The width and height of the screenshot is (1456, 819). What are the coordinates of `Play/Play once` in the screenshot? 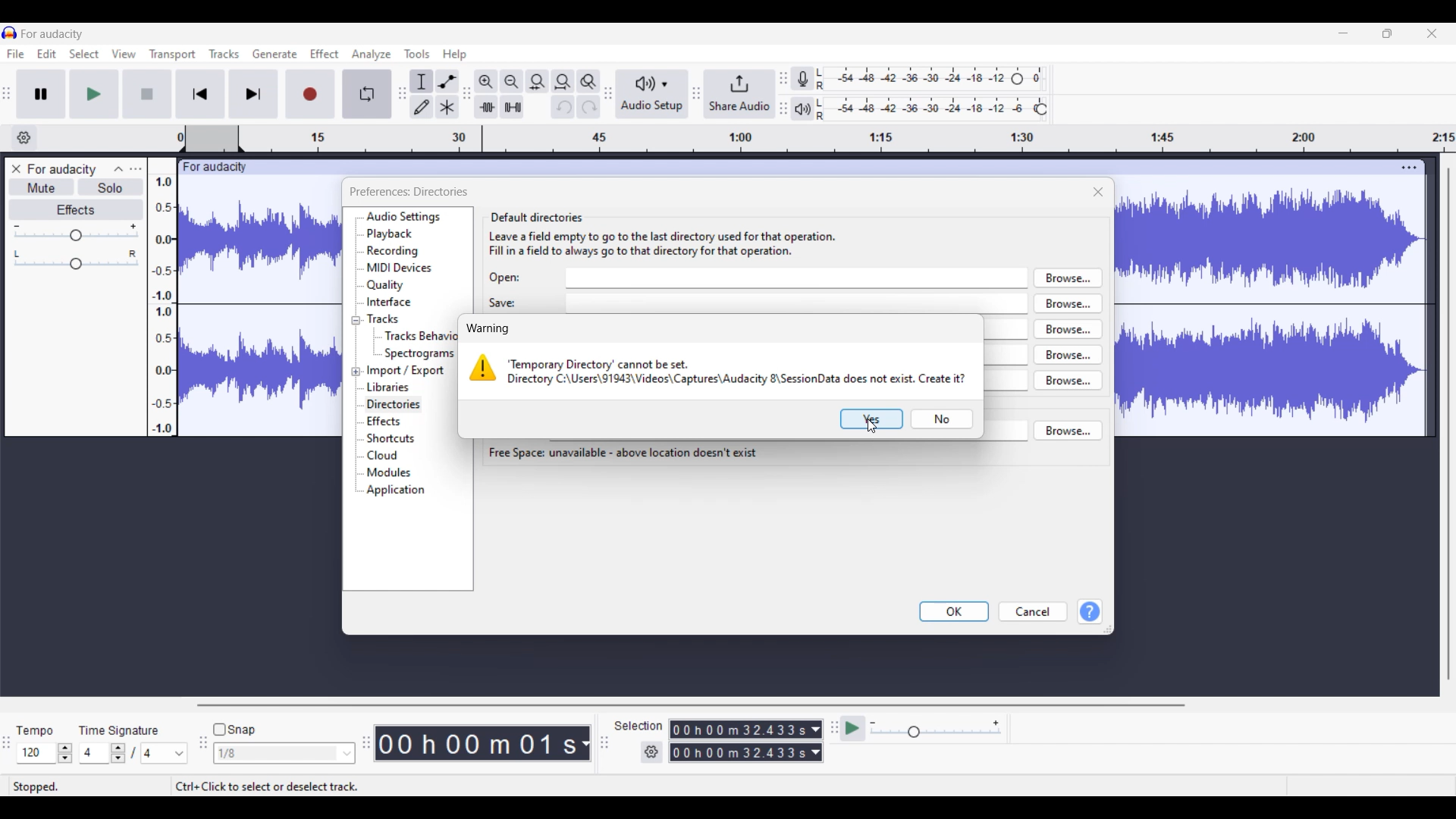 It's located at (95, 94).